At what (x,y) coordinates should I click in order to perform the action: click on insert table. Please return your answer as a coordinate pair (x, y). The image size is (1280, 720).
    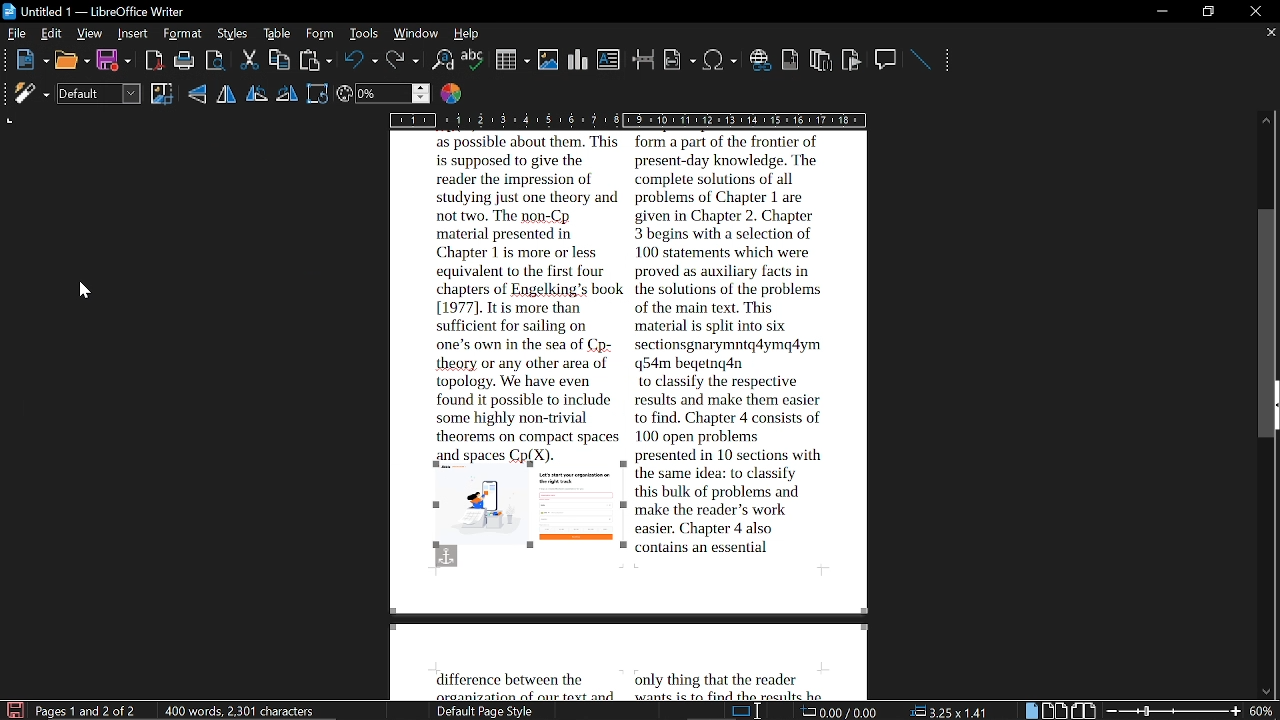
    Looking at the image, I should click on (510, 59).